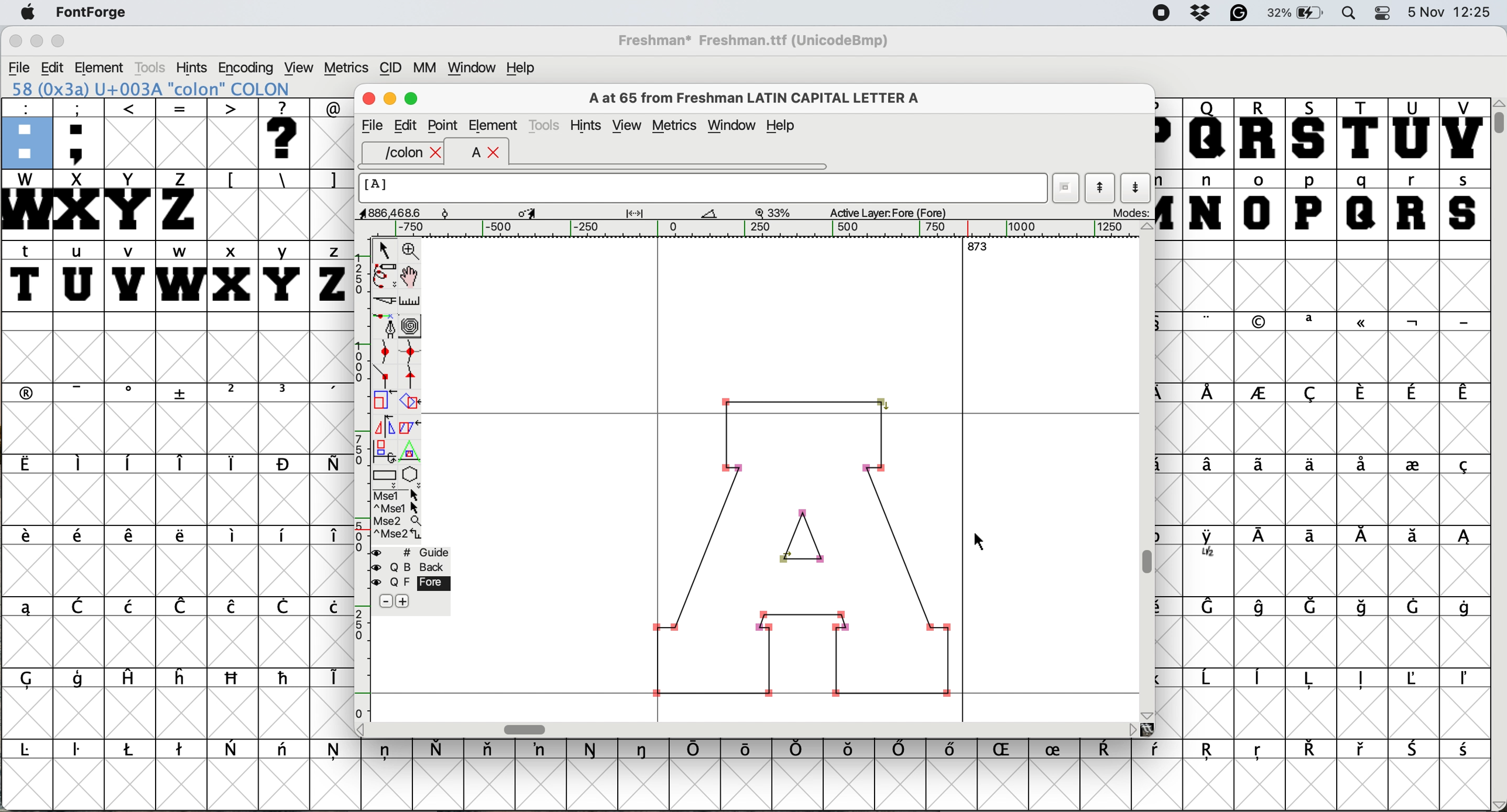  I want to click on select, so click(382, 250).